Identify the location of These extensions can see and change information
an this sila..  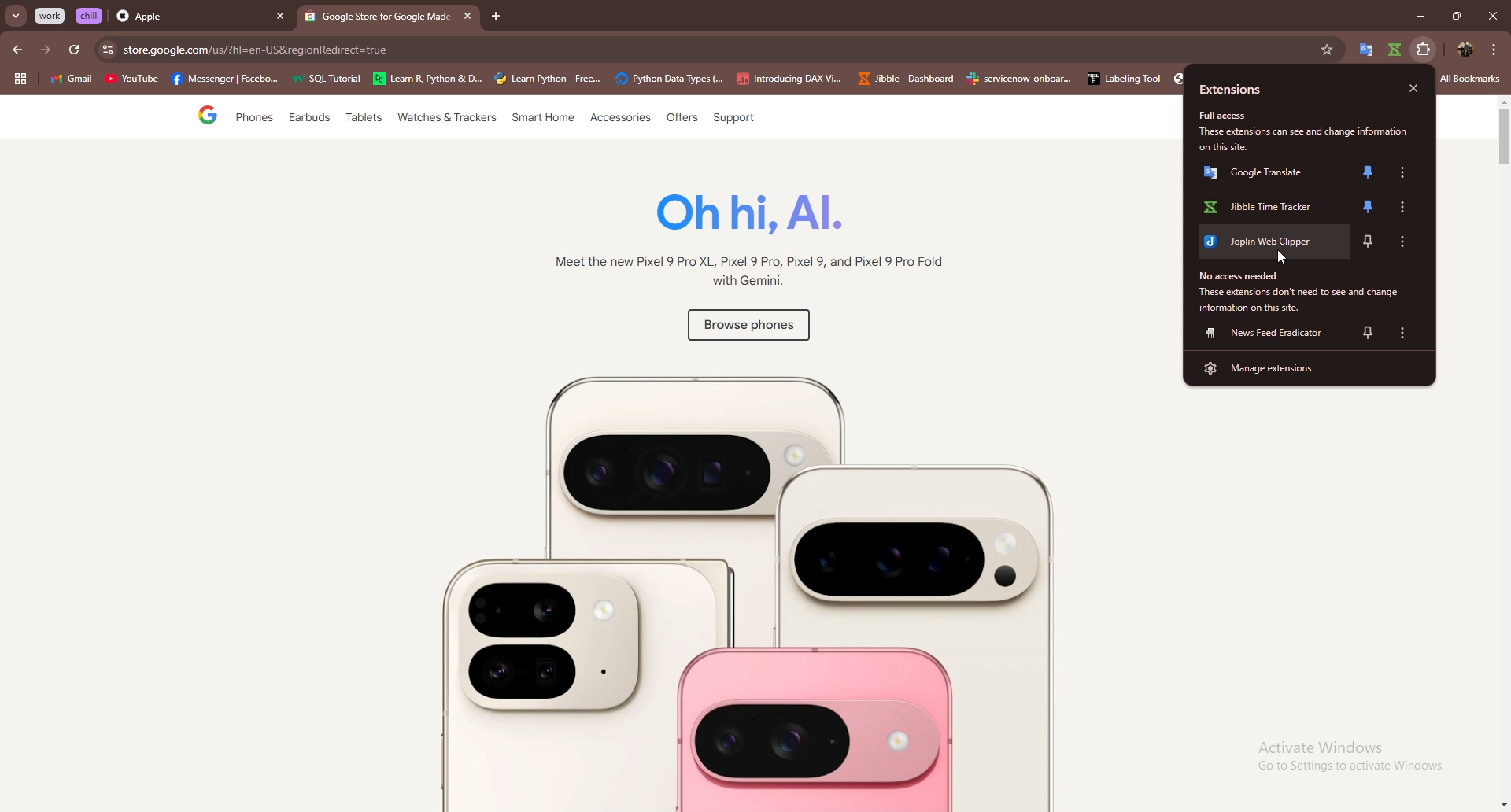
(1308, 139).